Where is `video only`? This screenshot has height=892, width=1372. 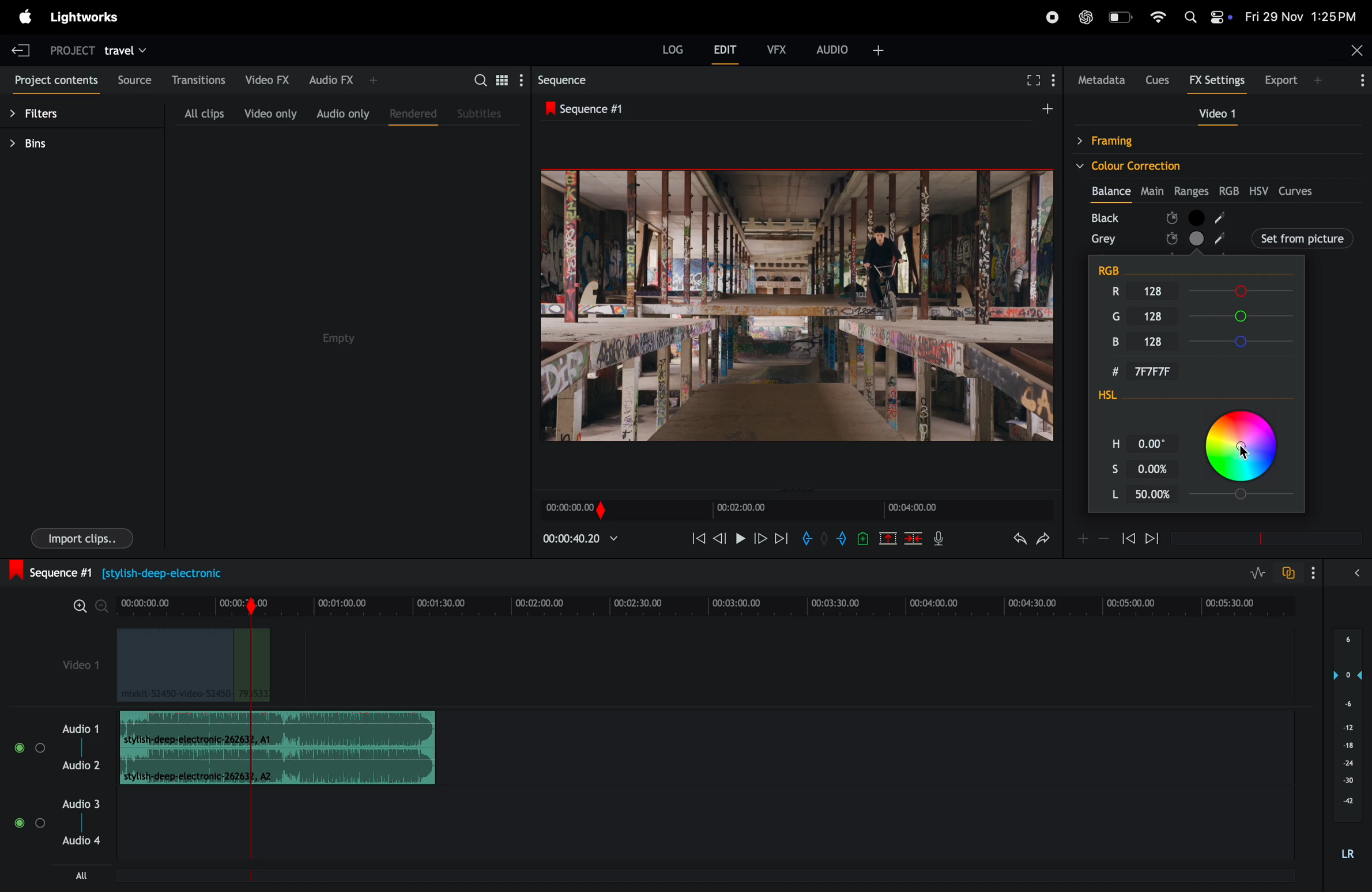 video only is located at coordinates (270, 114).